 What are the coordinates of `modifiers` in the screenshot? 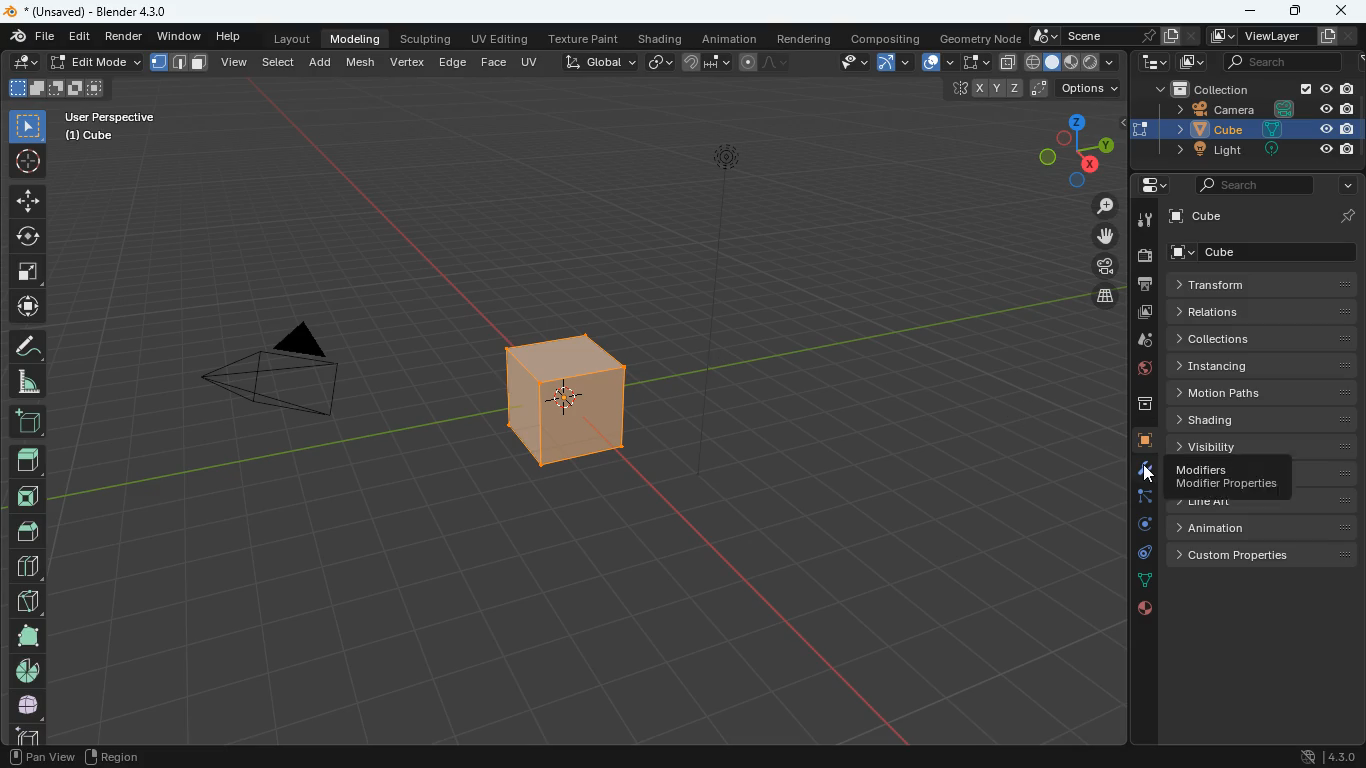 It's located at (1141, 472).